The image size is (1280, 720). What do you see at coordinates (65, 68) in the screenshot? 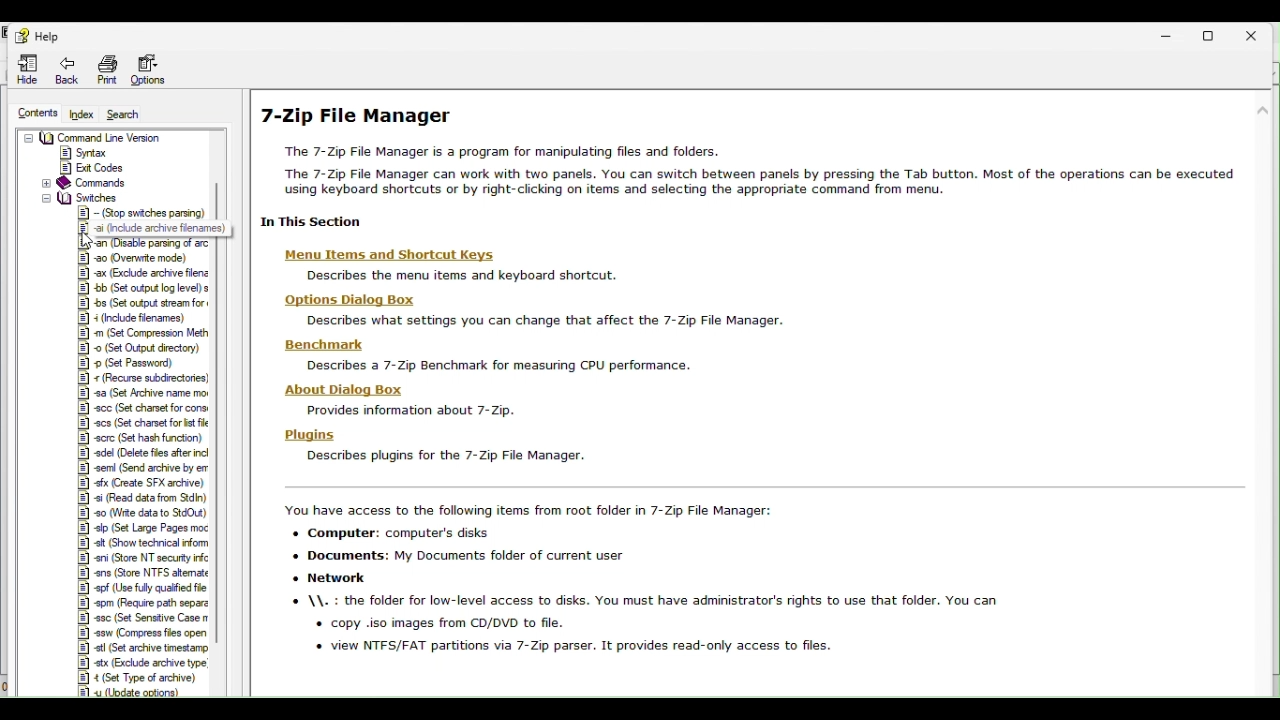
I see `Back` at bounding box center [65, 68].